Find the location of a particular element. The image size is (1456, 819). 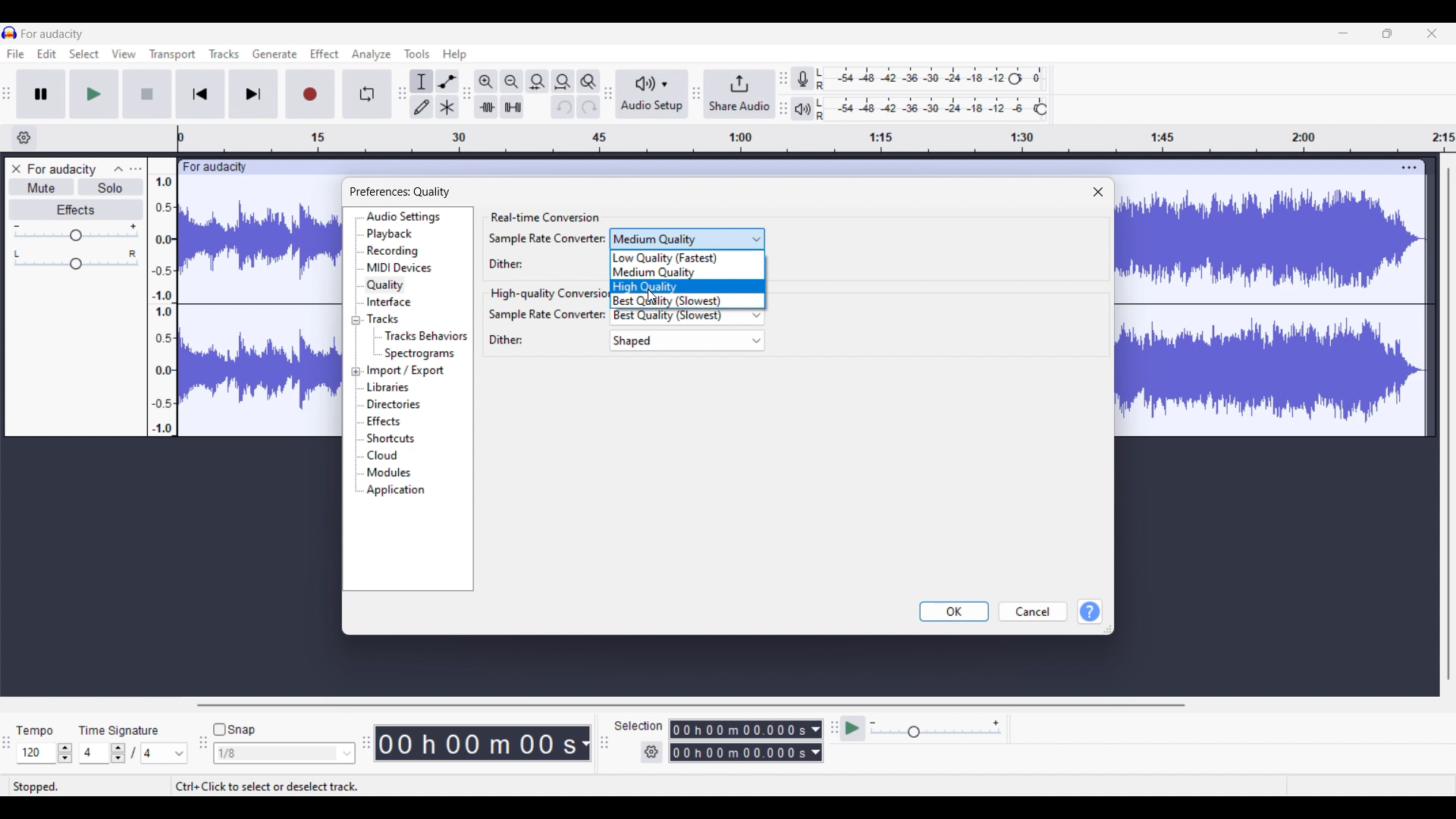

Increase/Decrease time signature is located at coordinates (118, 753).